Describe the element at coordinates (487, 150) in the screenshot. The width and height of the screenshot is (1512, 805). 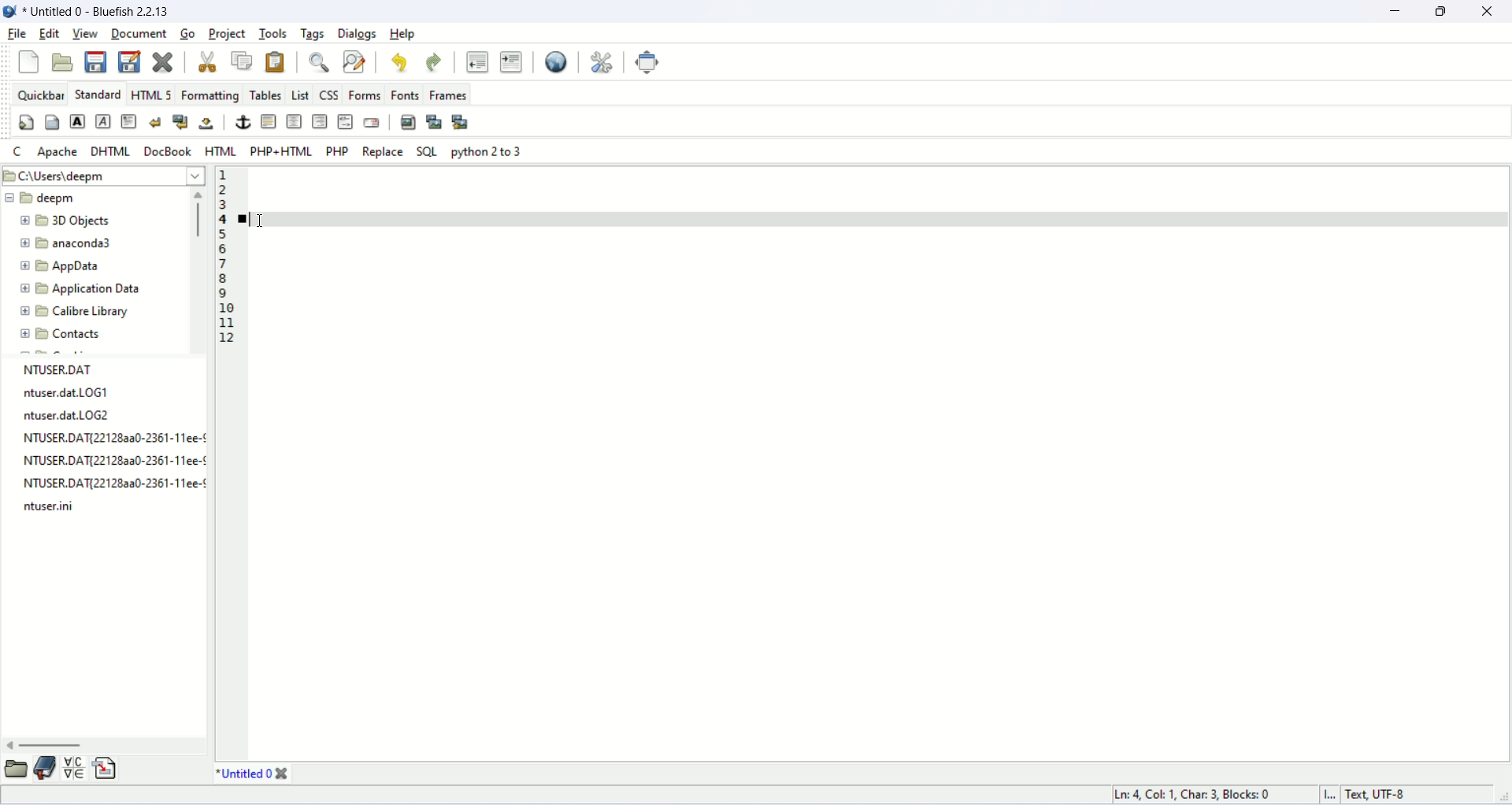
I see `python 2 to 3` at that location.